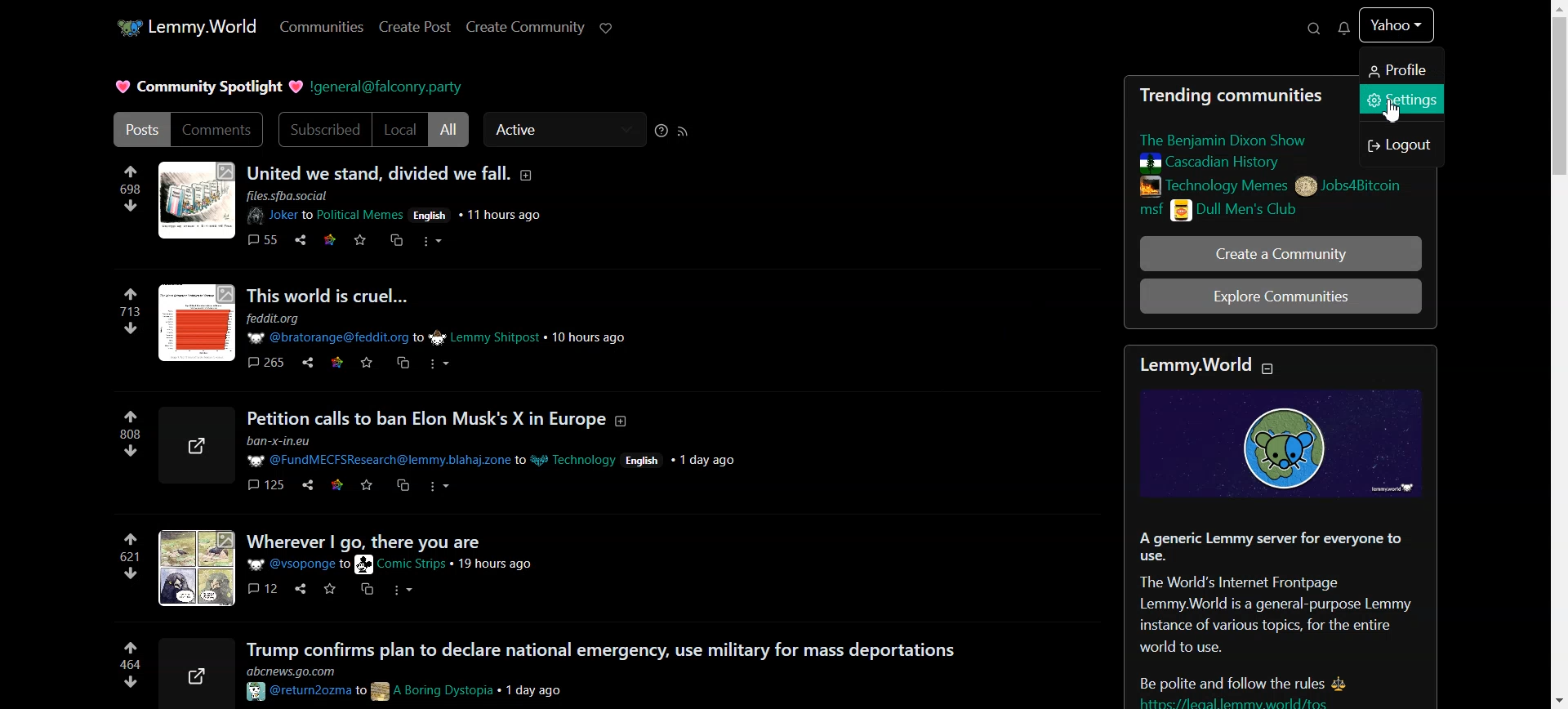 This screenshot has height=709, width=1568. Describe the element at coordinates (126, 313) in the screenshot. I see `713` at that location.